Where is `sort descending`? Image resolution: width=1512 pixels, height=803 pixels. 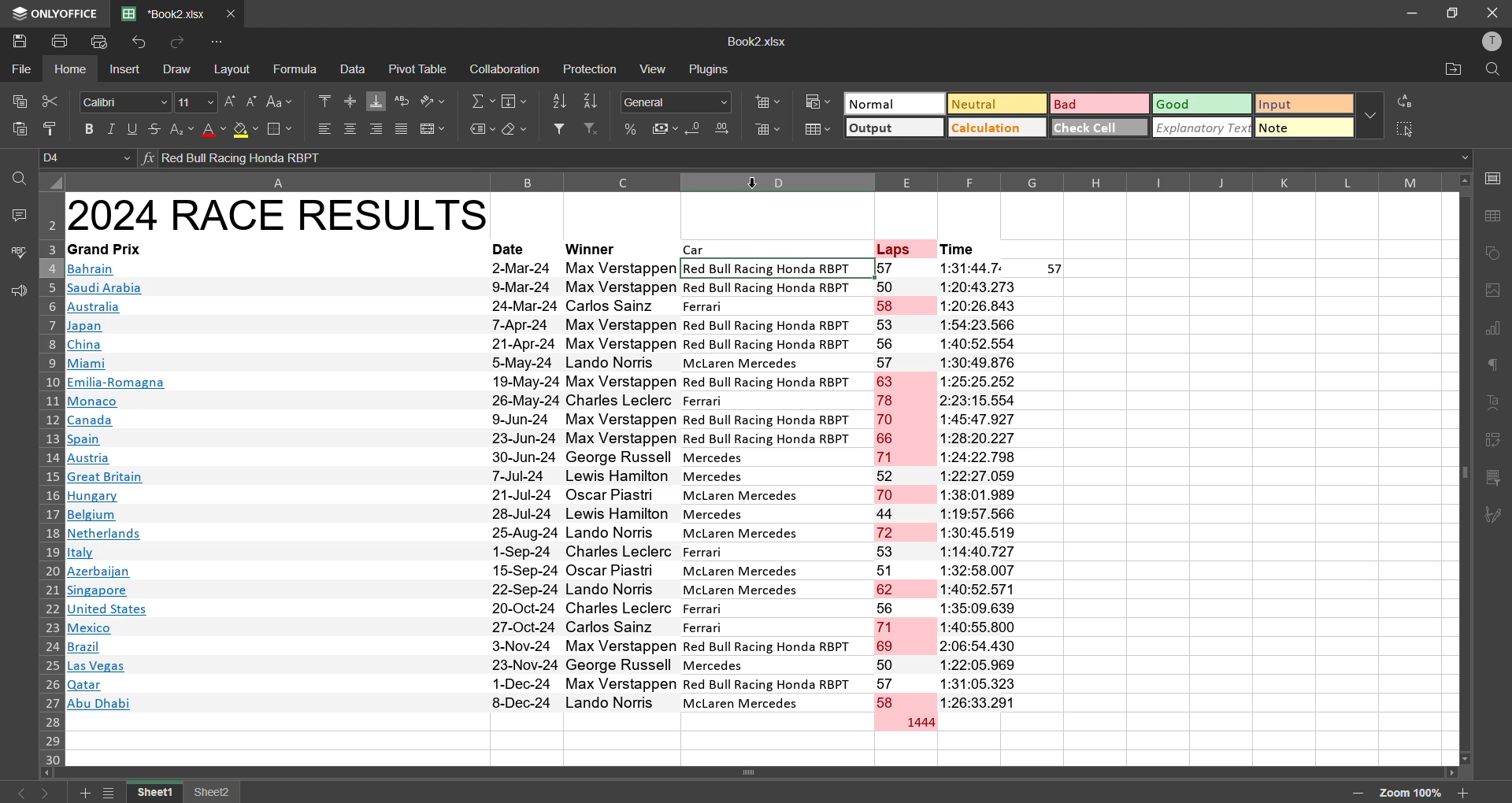
sort descending is located at coordinates (592, 102).